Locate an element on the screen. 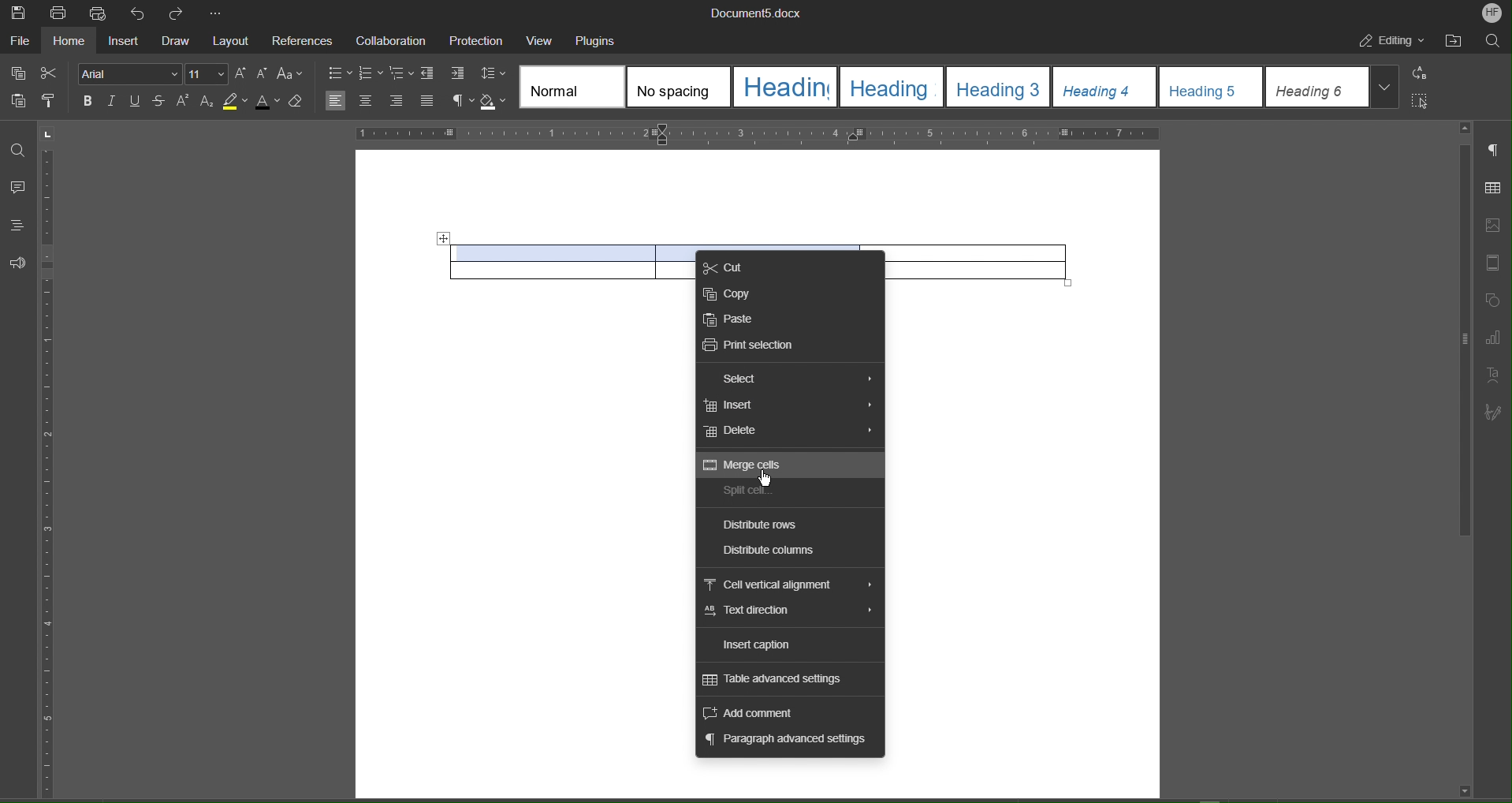 This screenshot has height=803, width=1512. Superscript is located at coordinates (184, 102).